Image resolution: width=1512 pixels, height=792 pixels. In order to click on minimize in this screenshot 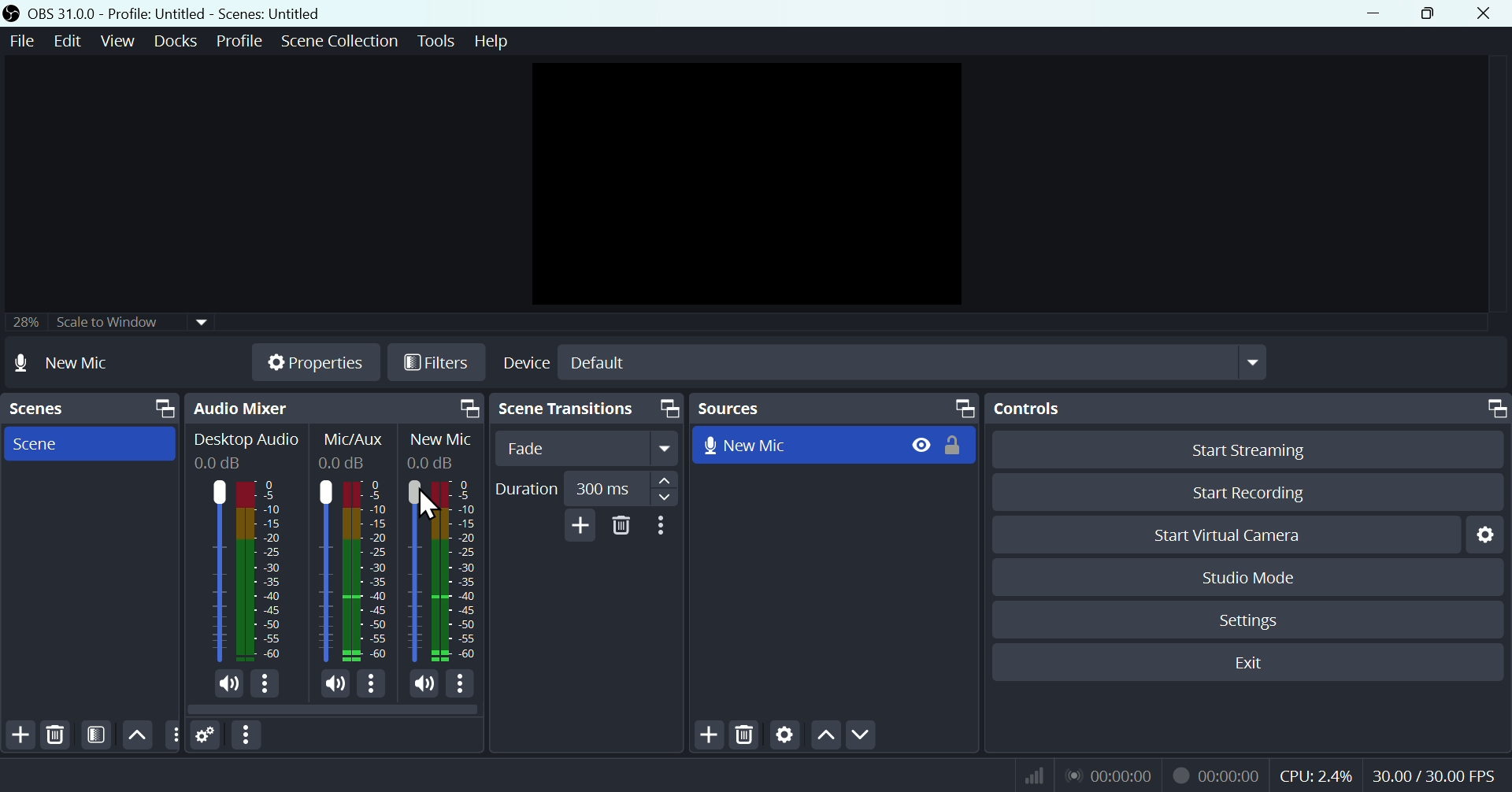, I will do `click(1379, 13)`.